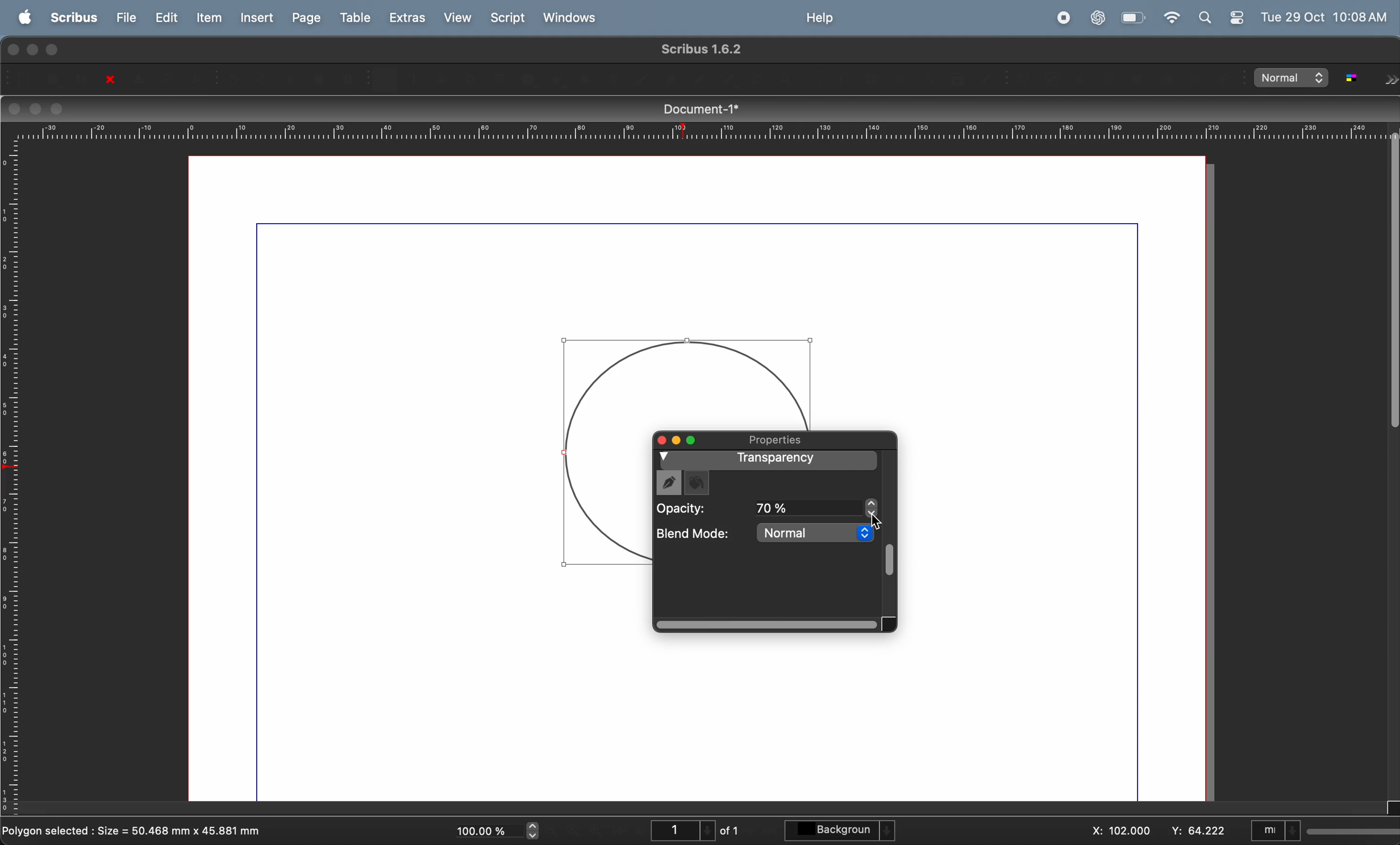 Image resolution: width=1400 pixels, height=845 pixels. I want to click on minimize, so click(36, 109).